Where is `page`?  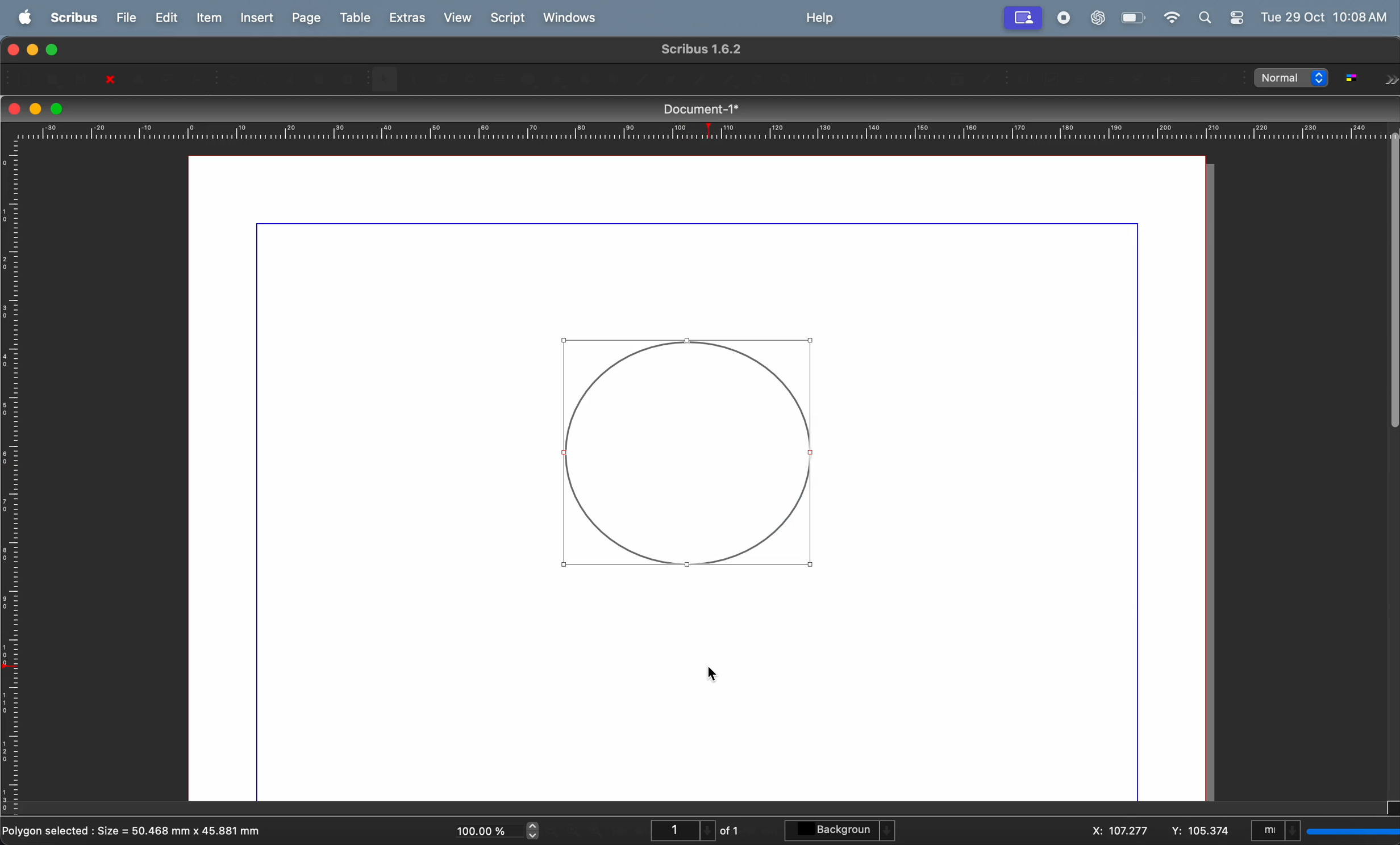
page is located at coordinates (305, 18).